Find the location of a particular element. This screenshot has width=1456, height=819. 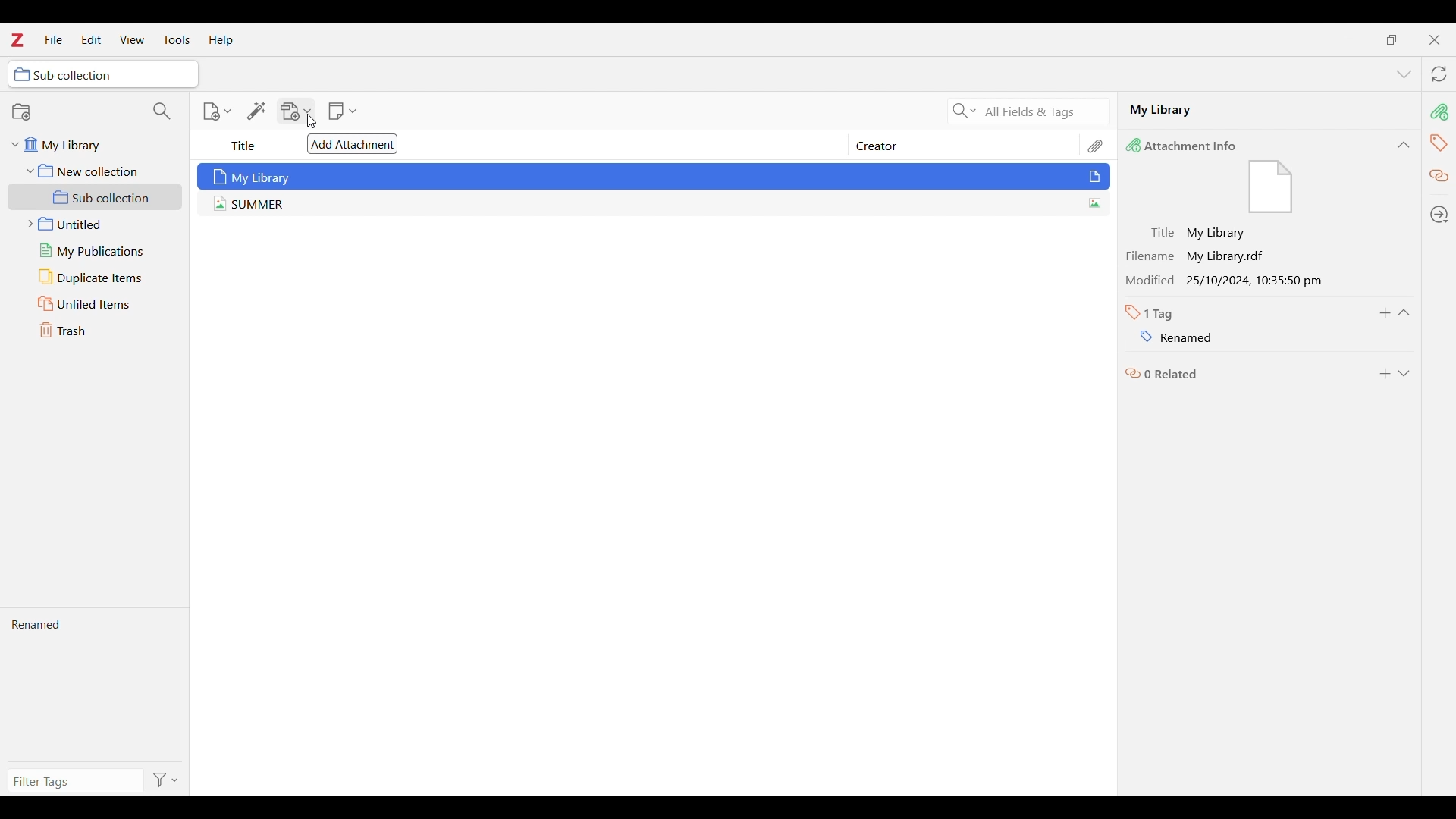

maximize is located at coordinates (1391, 39).